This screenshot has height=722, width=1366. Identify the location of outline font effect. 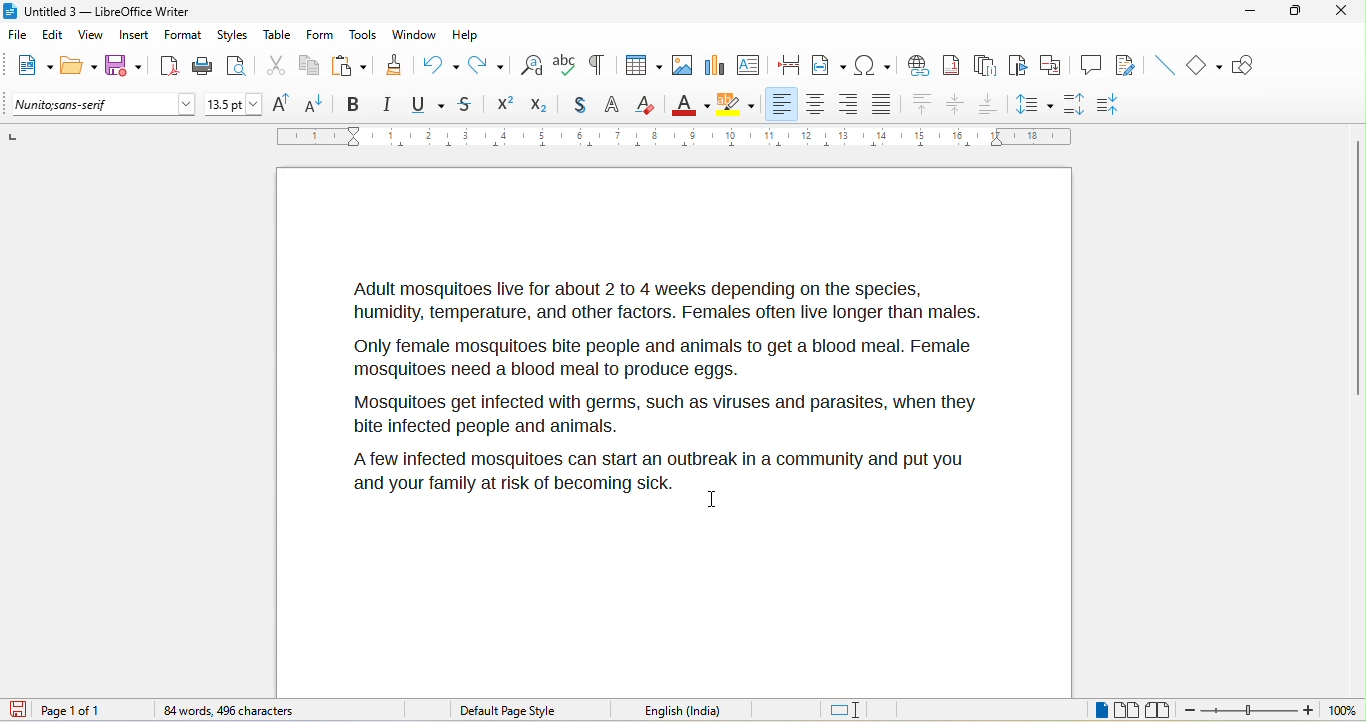
(613, 106).